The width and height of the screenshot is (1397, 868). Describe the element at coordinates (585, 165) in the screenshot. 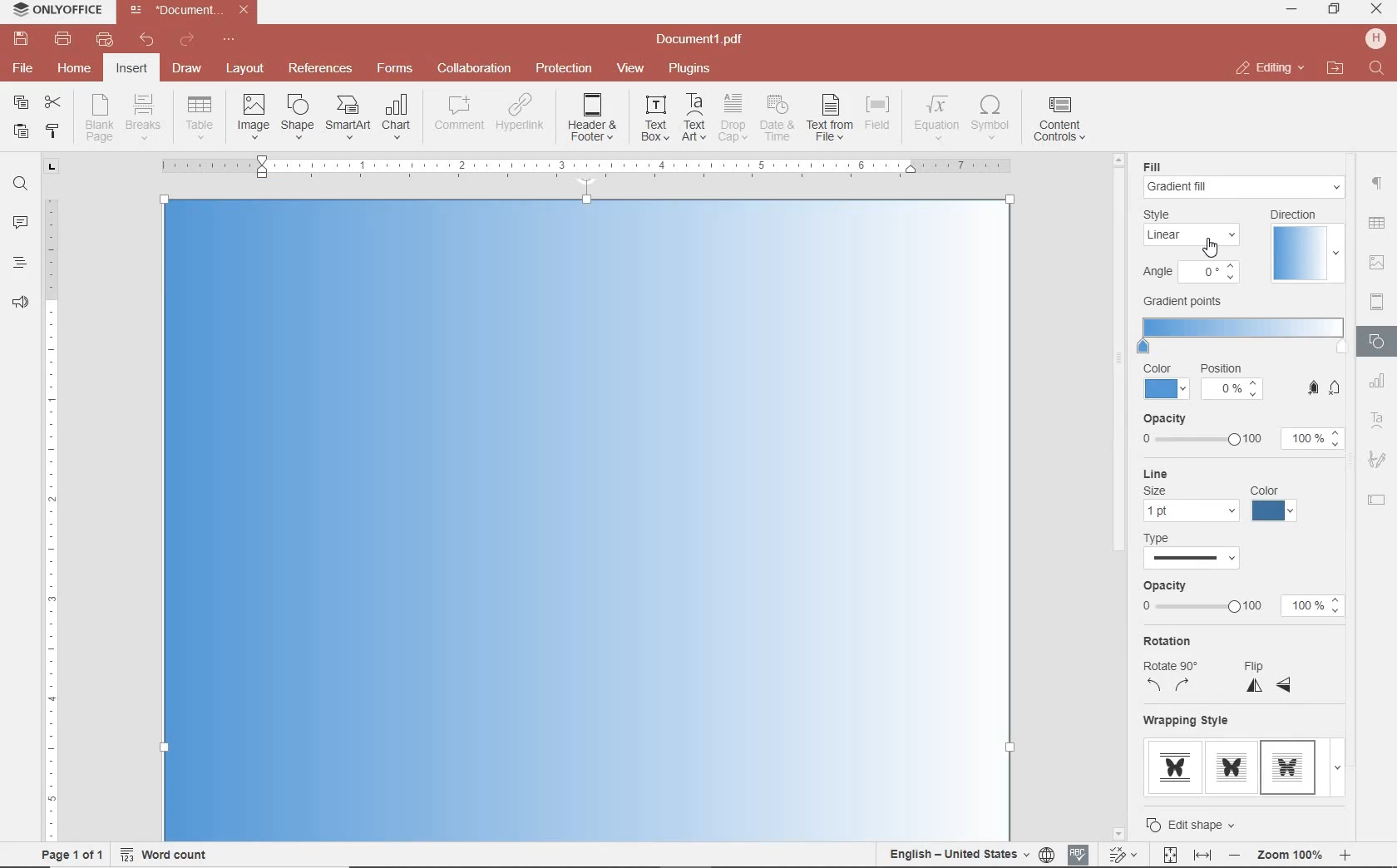

I see `` at that location.